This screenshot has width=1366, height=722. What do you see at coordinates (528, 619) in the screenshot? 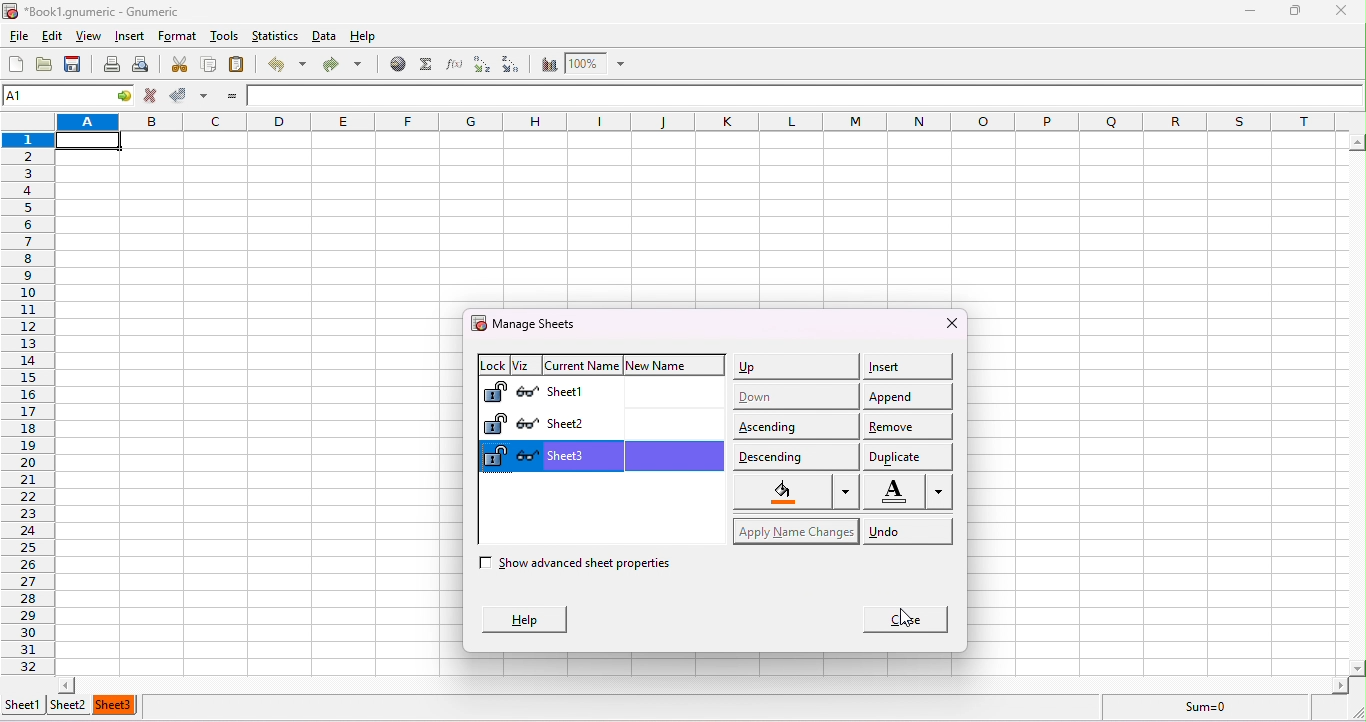
I see `help` at bounding box center [528, 619].